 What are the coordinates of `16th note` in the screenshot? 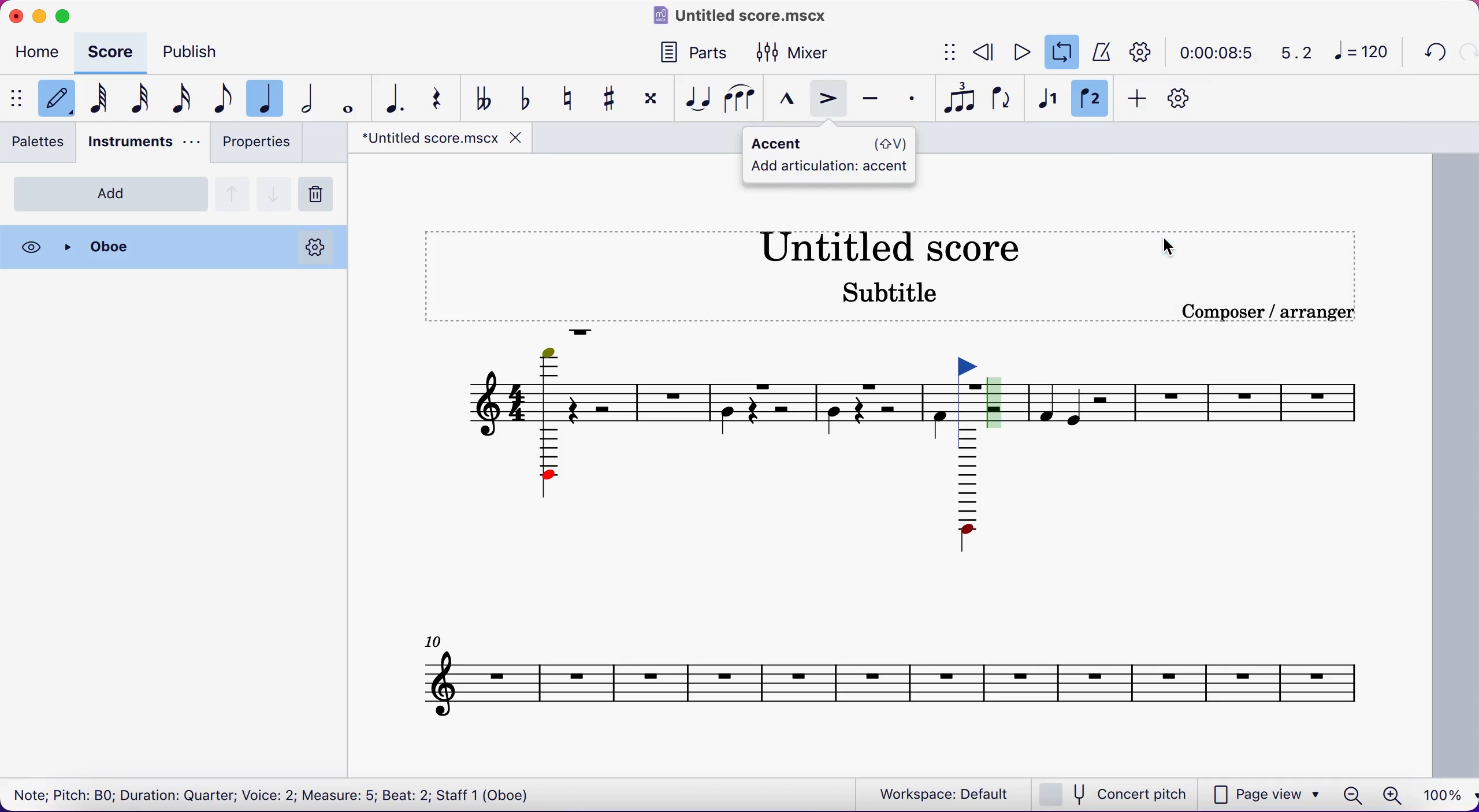 It's located at (181, 99).